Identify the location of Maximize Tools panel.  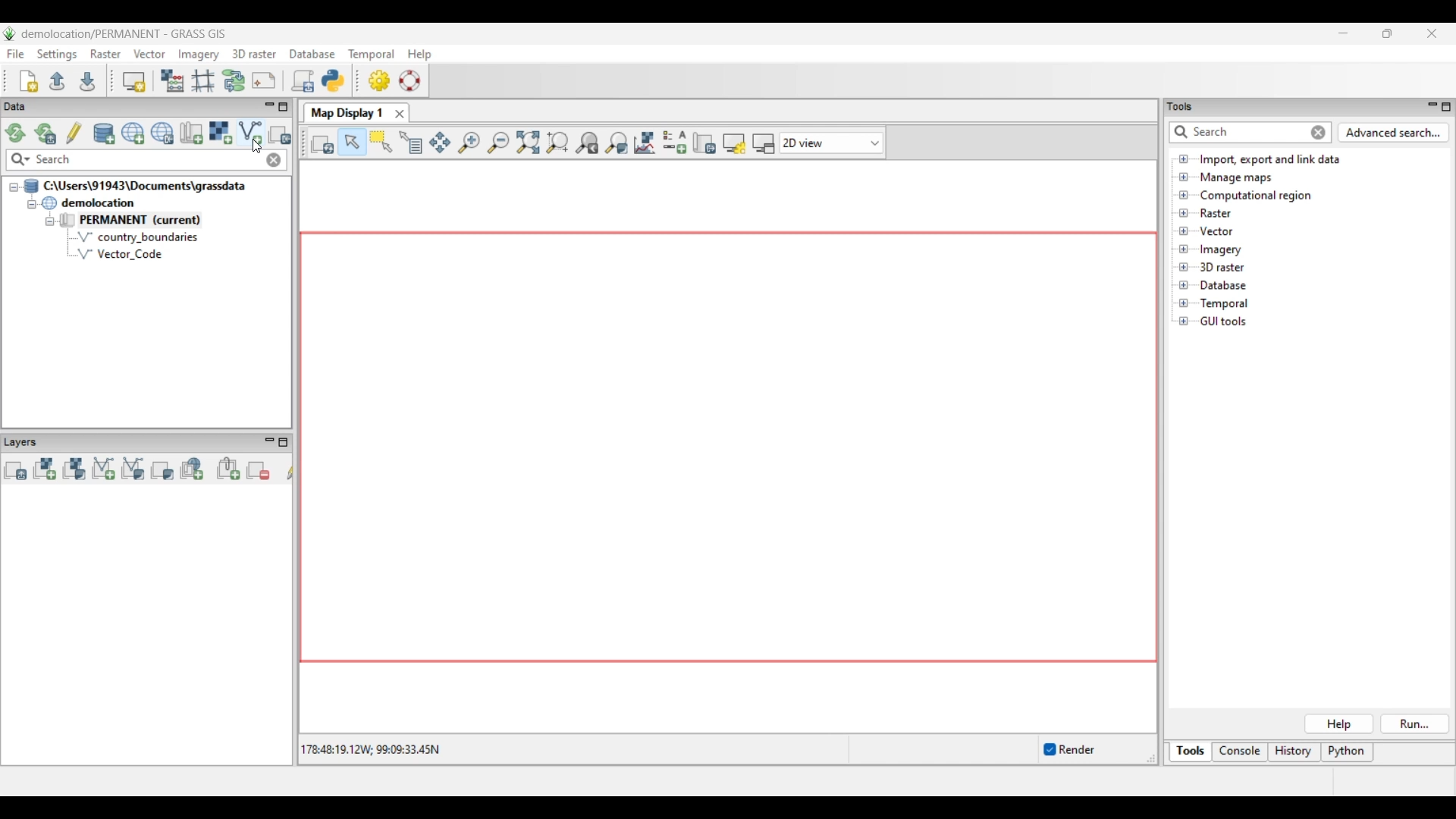
(1446, 107).